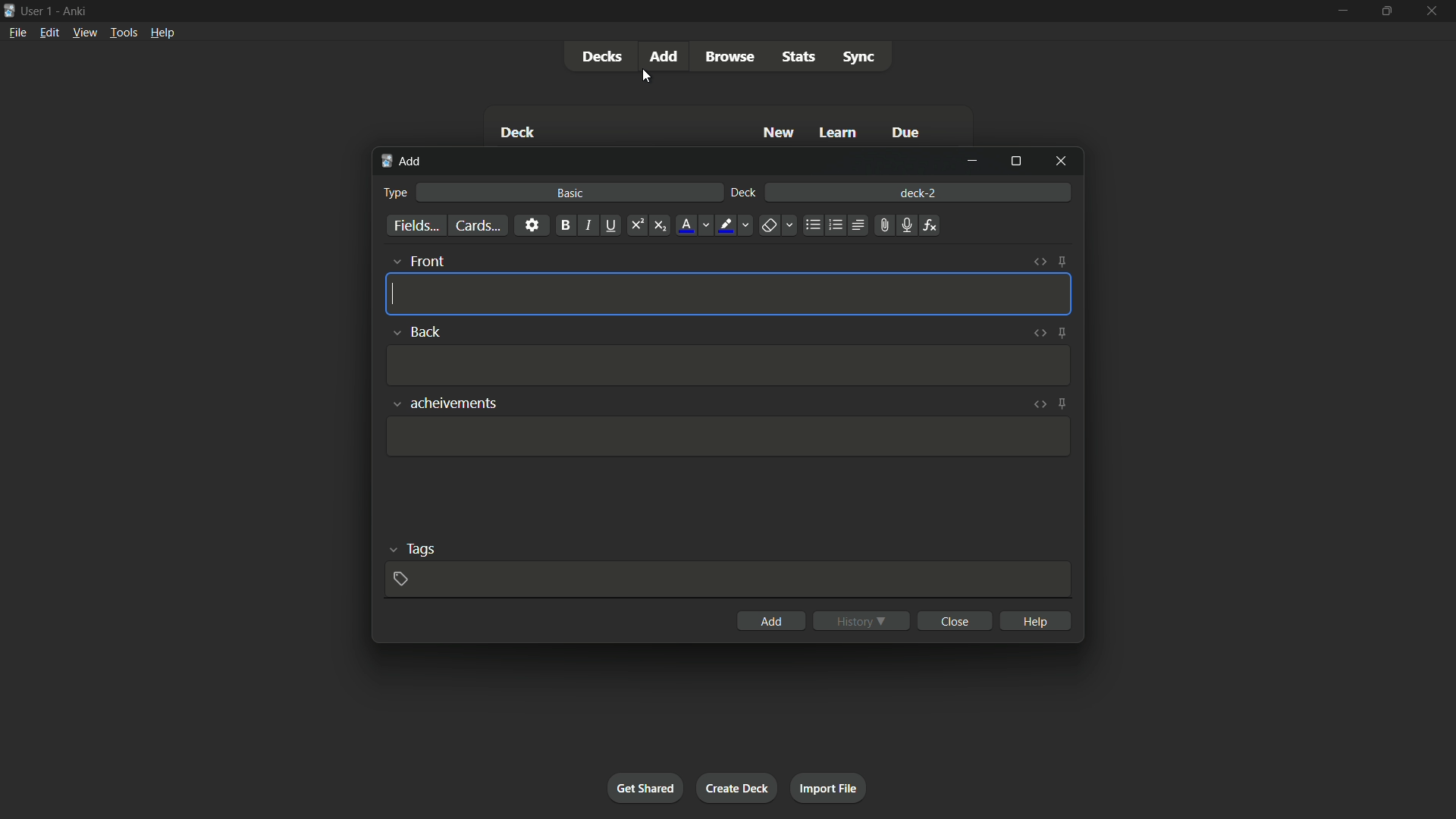 Image resolution: width=1456 pixels, height=819 pixels. Describe the element at coordinates (883, 226) in the screenshot. I see `attach` at that location.